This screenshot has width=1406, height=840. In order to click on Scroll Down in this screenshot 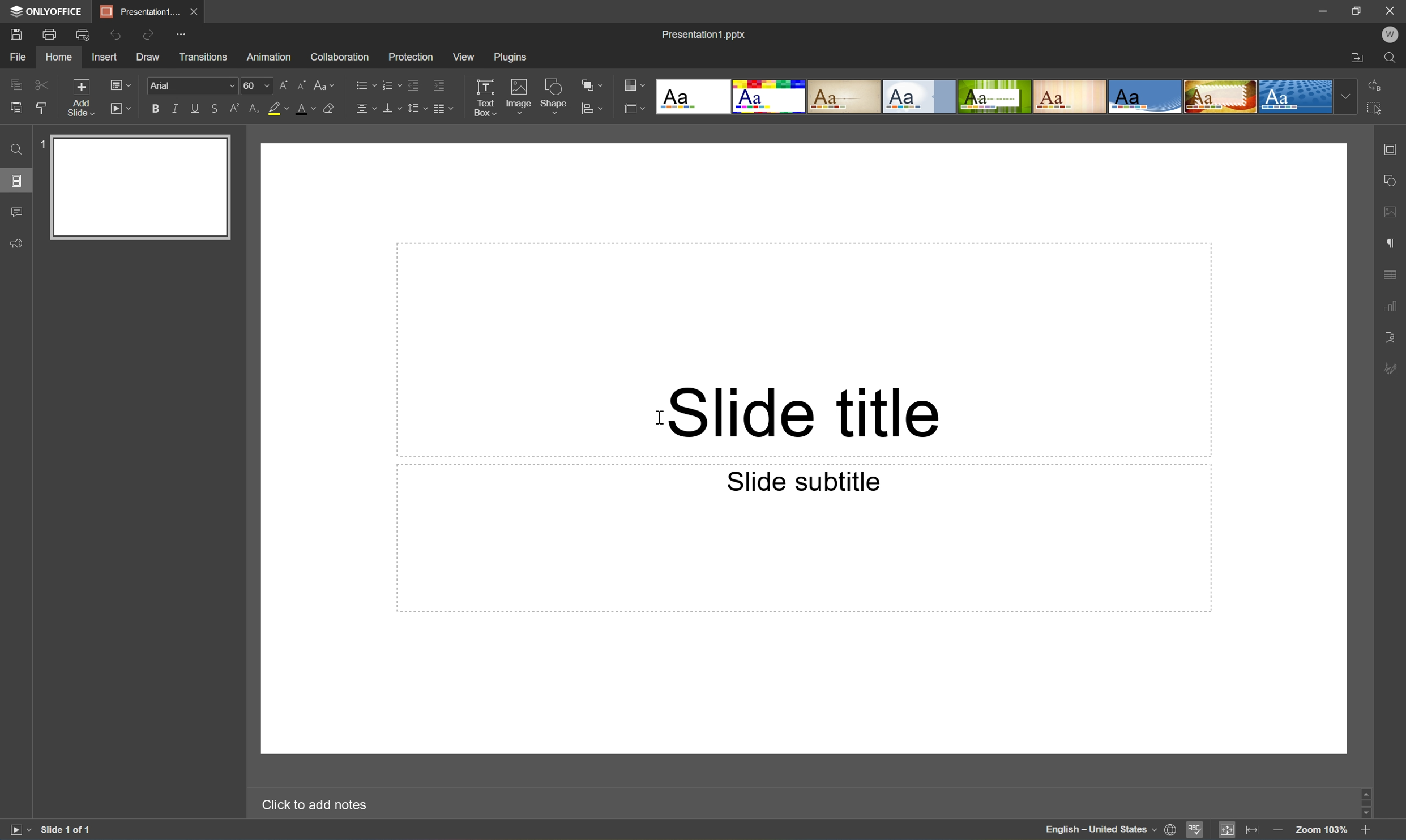, I will do `click(1363, 816)`.